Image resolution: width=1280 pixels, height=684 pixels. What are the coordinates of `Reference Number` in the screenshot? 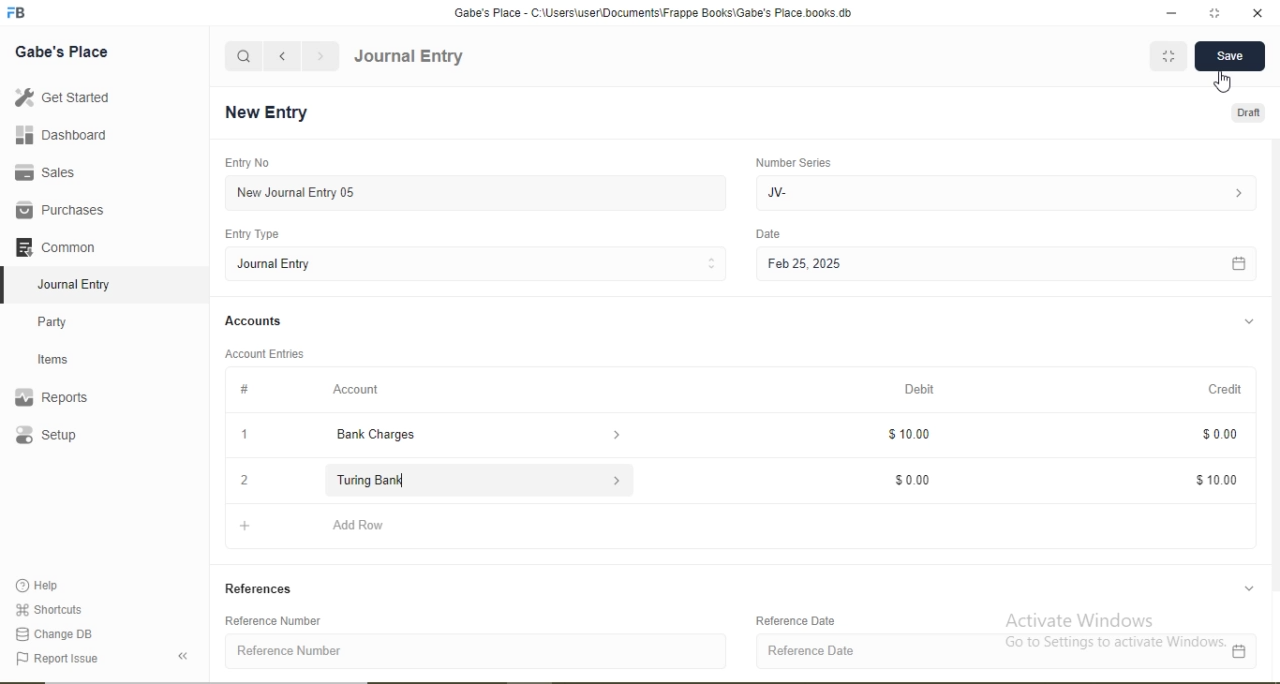 It's located at (478, 651).